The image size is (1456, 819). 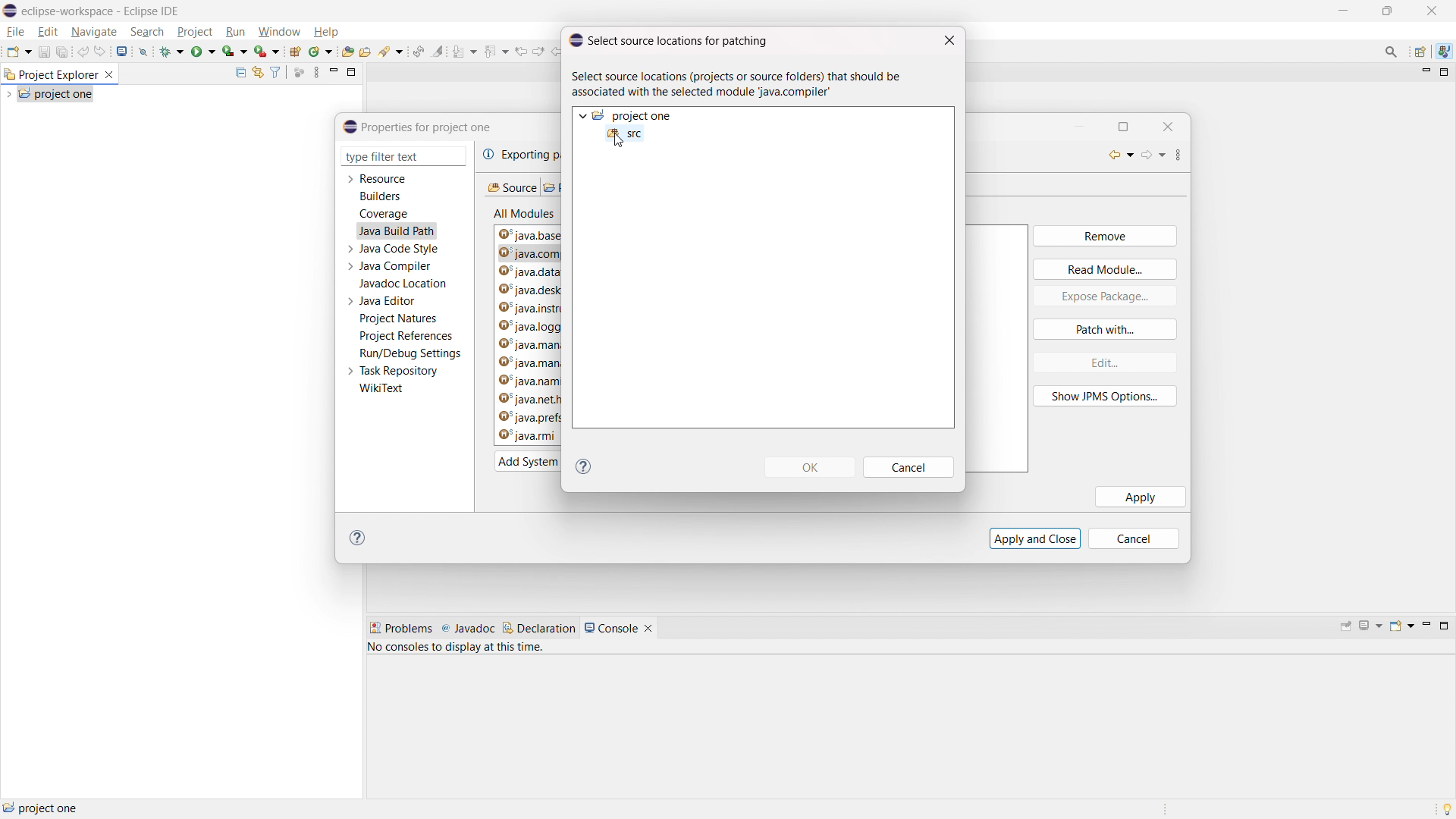 I want to click on maximize, so click(x=1445, y=73).